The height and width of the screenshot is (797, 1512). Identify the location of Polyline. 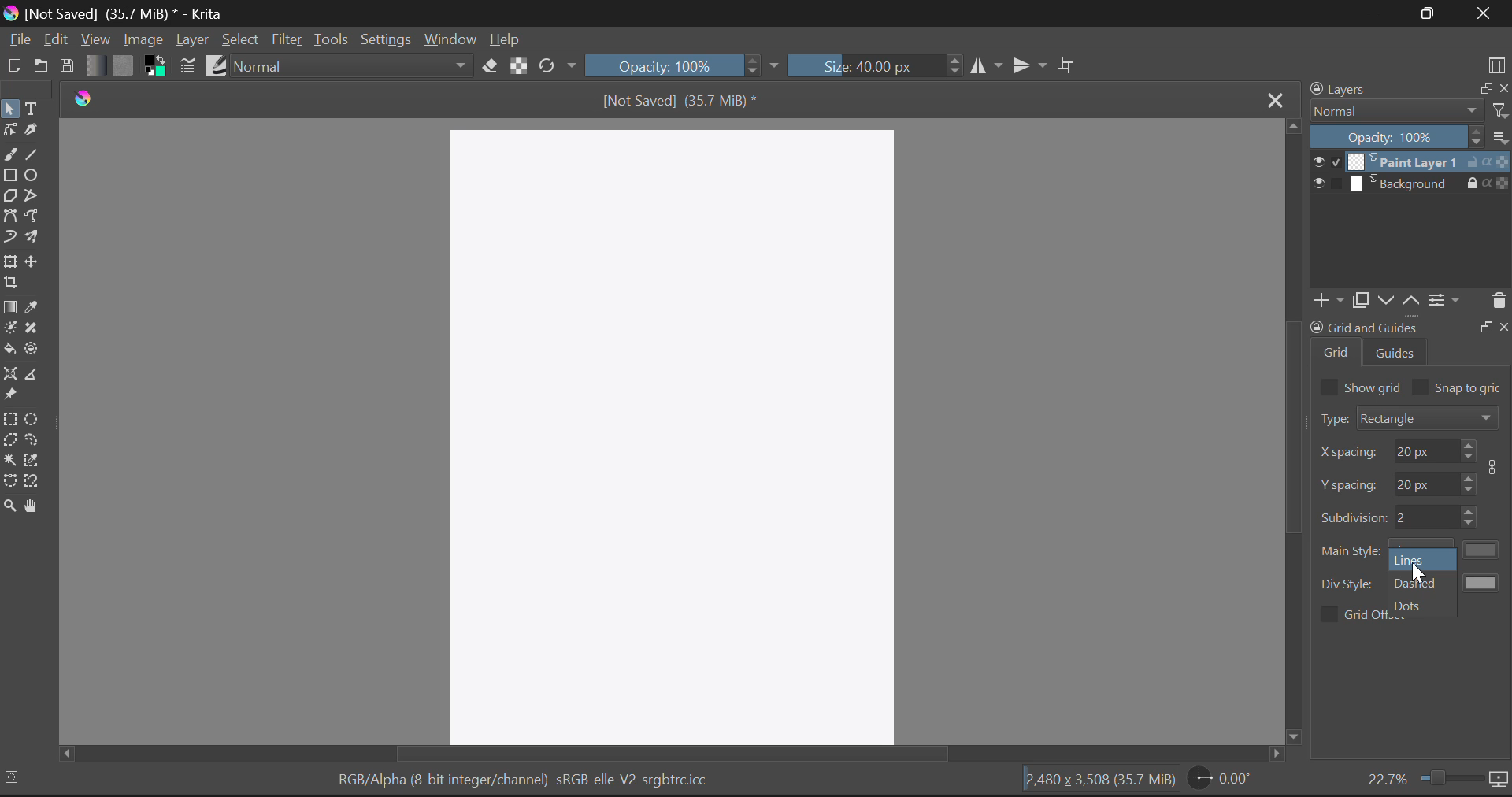
(37, 197).